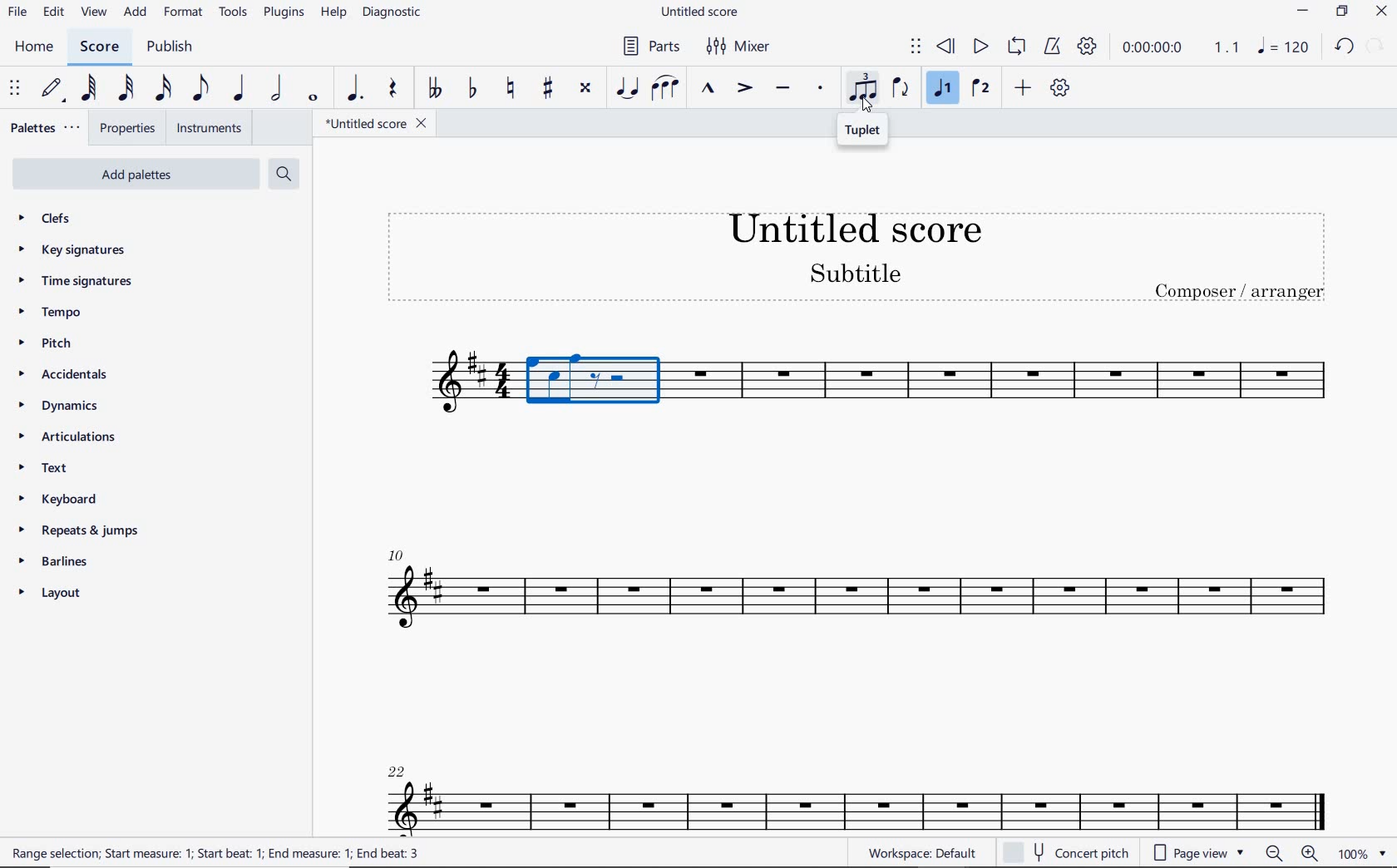  I want to click on INSTRUMENT: TENOR SAXOPHONE, so click(438, 387).